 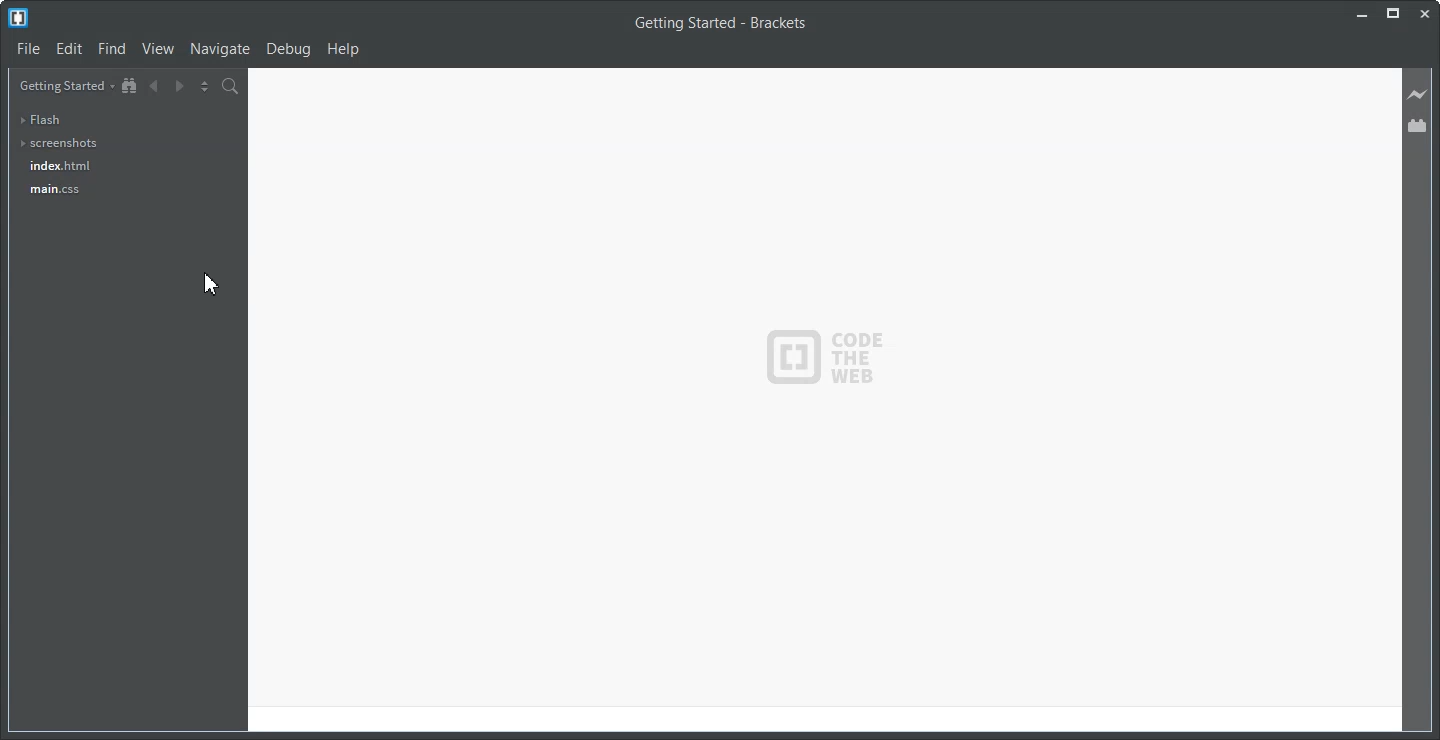 What do you see at coordinates (57, 144) in the screenshot?
I see `screenshots` at bounding box center [57, 144].